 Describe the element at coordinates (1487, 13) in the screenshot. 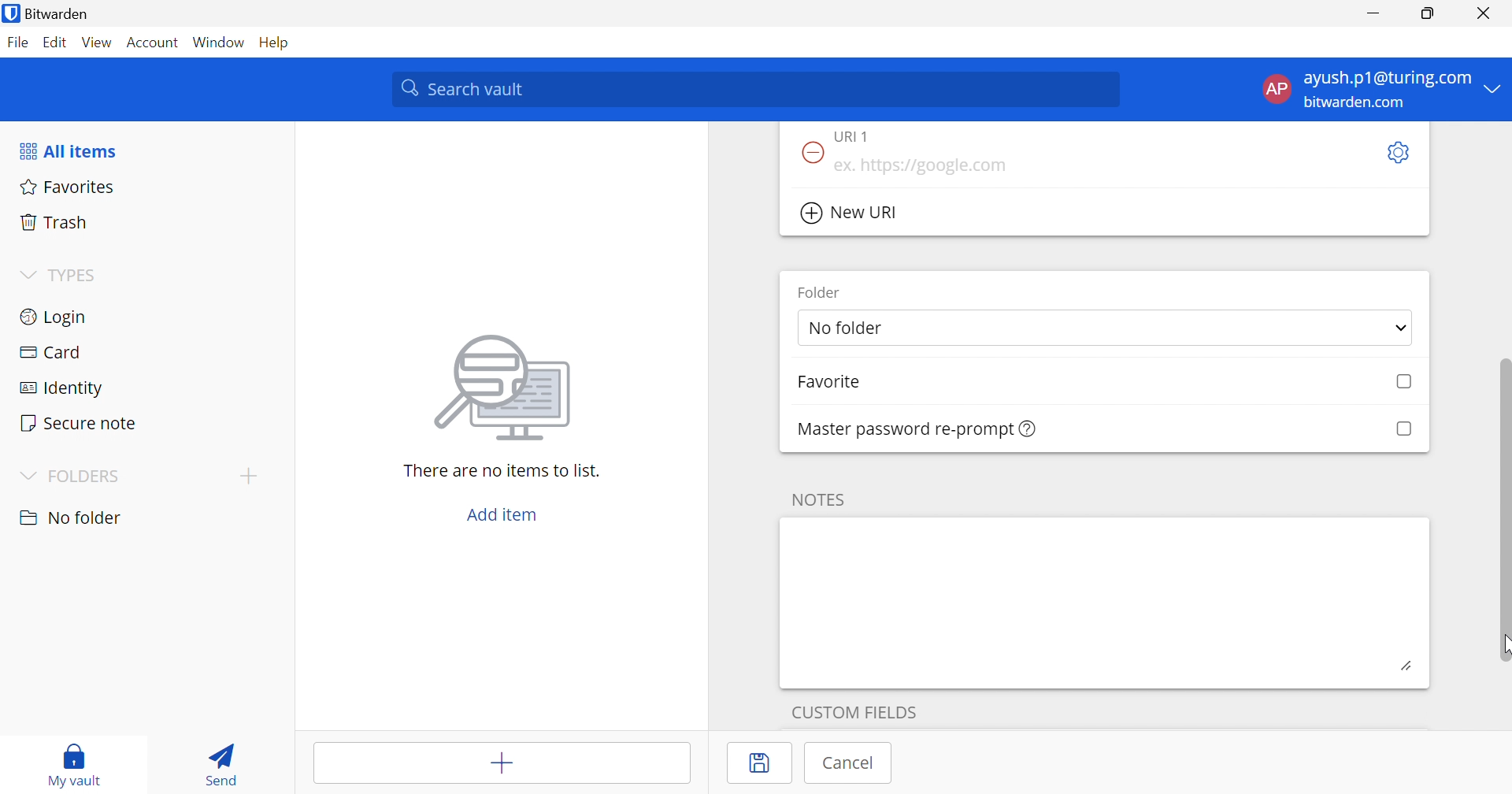

I see `Close` at that location.